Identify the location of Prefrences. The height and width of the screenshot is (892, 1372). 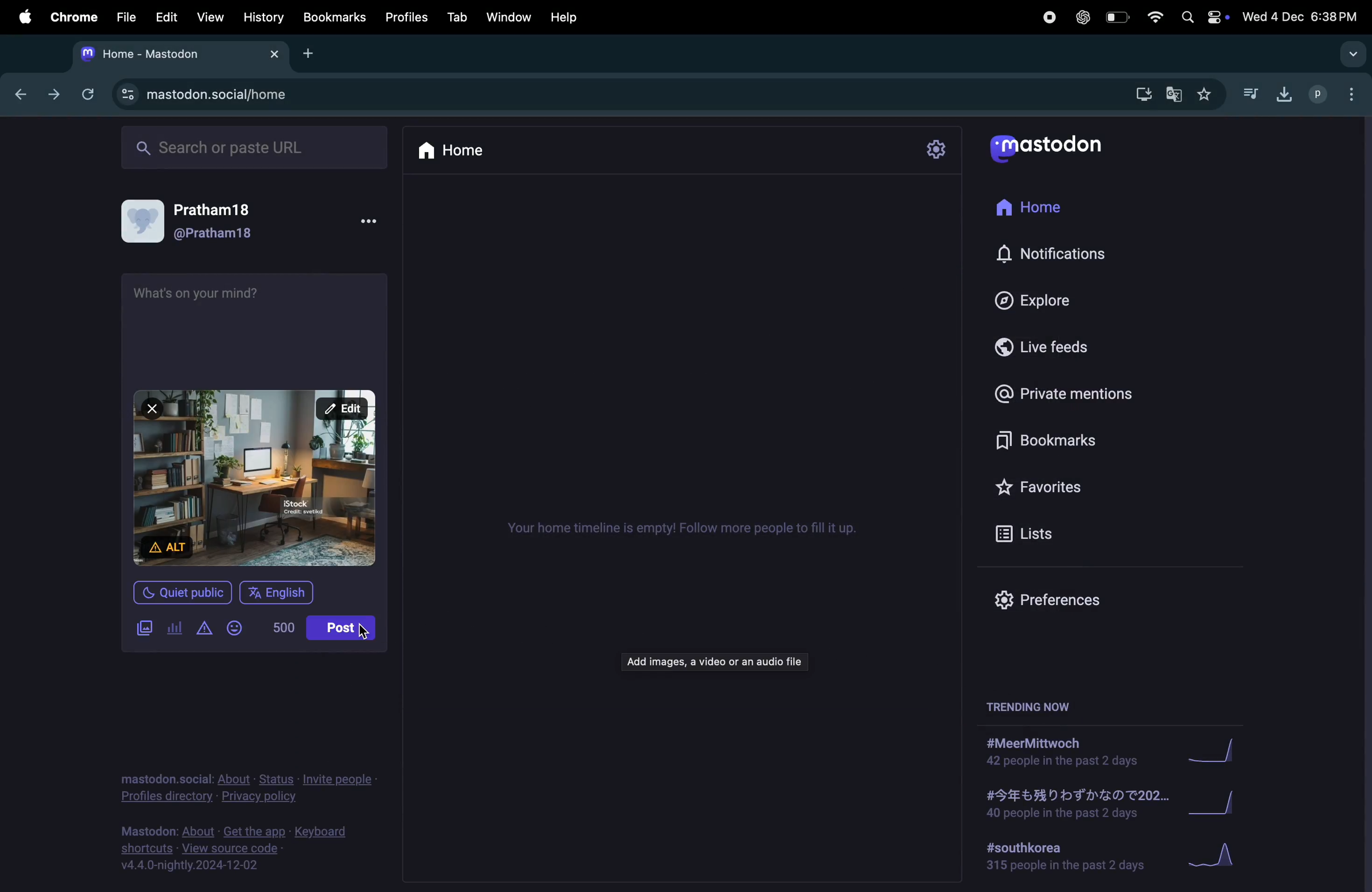
(1048, 600).